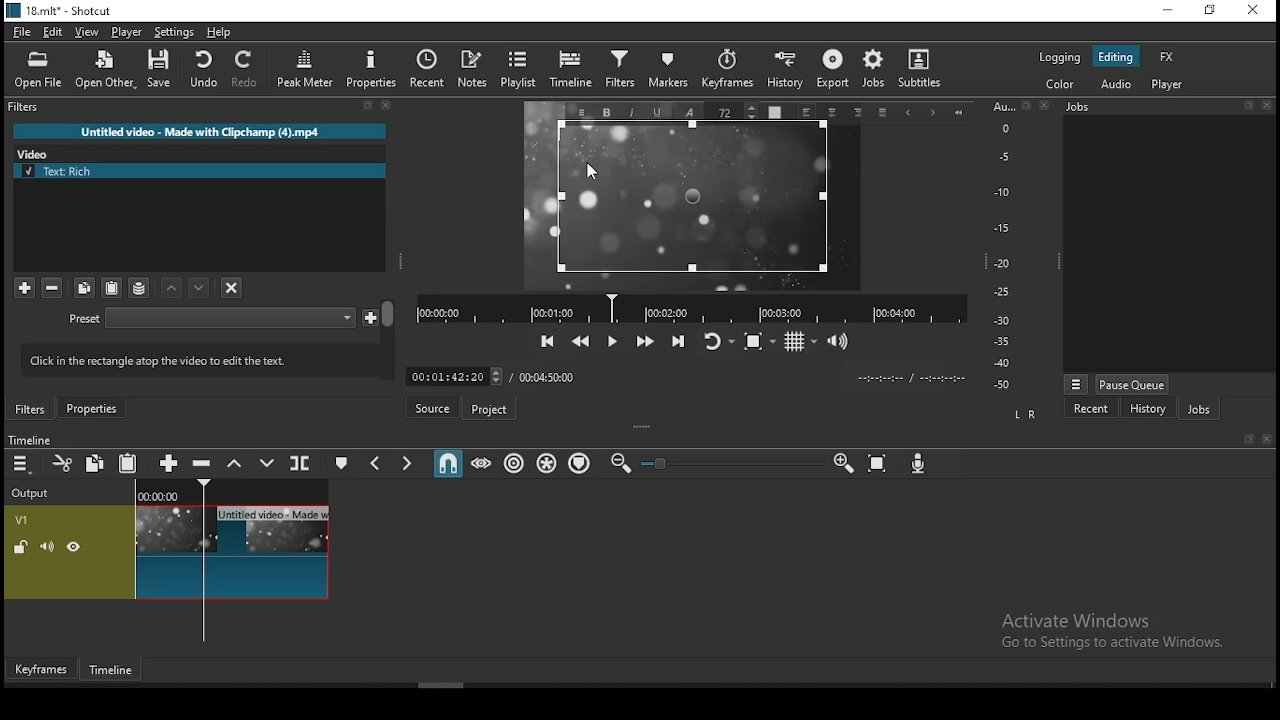 This screenshot has height=720, width=1280. I want to click on copy, so click(95, 462).